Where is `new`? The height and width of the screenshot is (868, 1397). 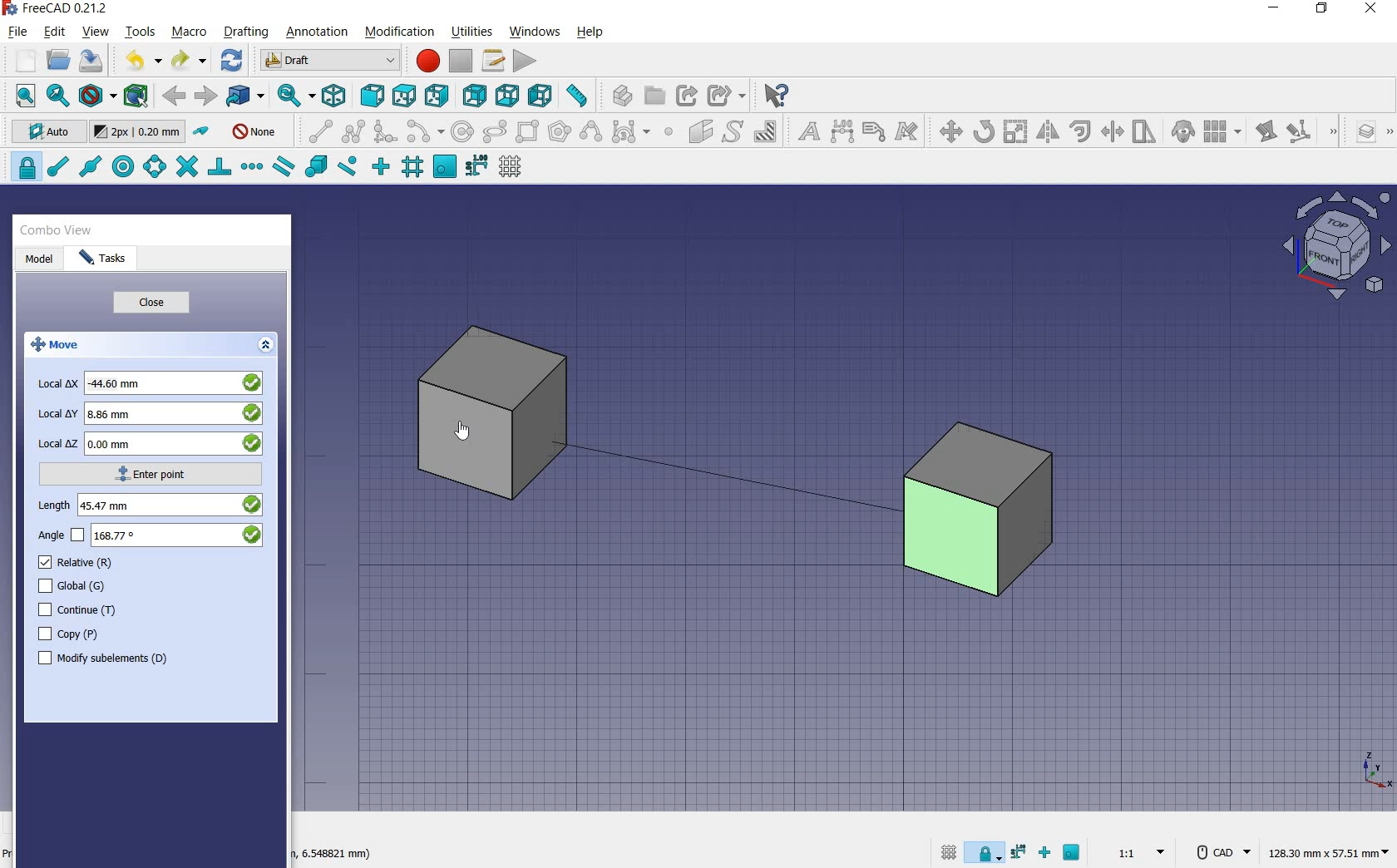
new is located at coordinates (21, 61).